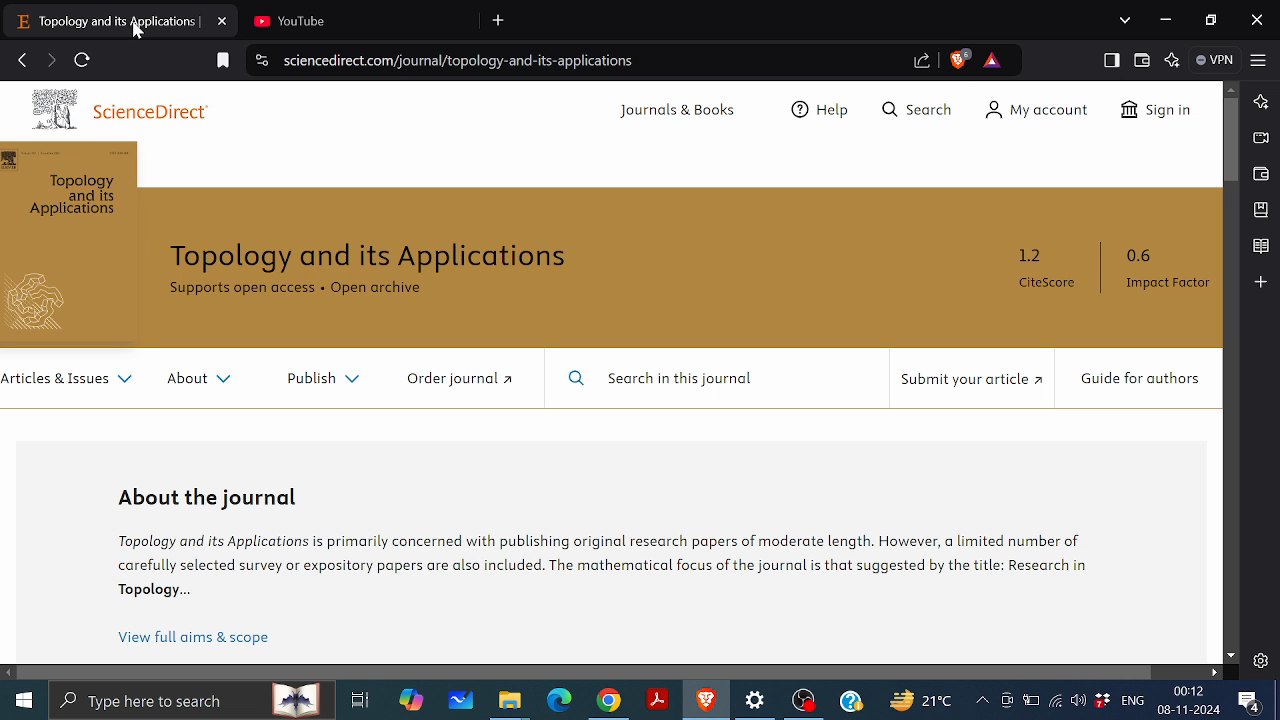 The image size is (1280, 720). I want to click on Microsoft edge, so click(560, 701).